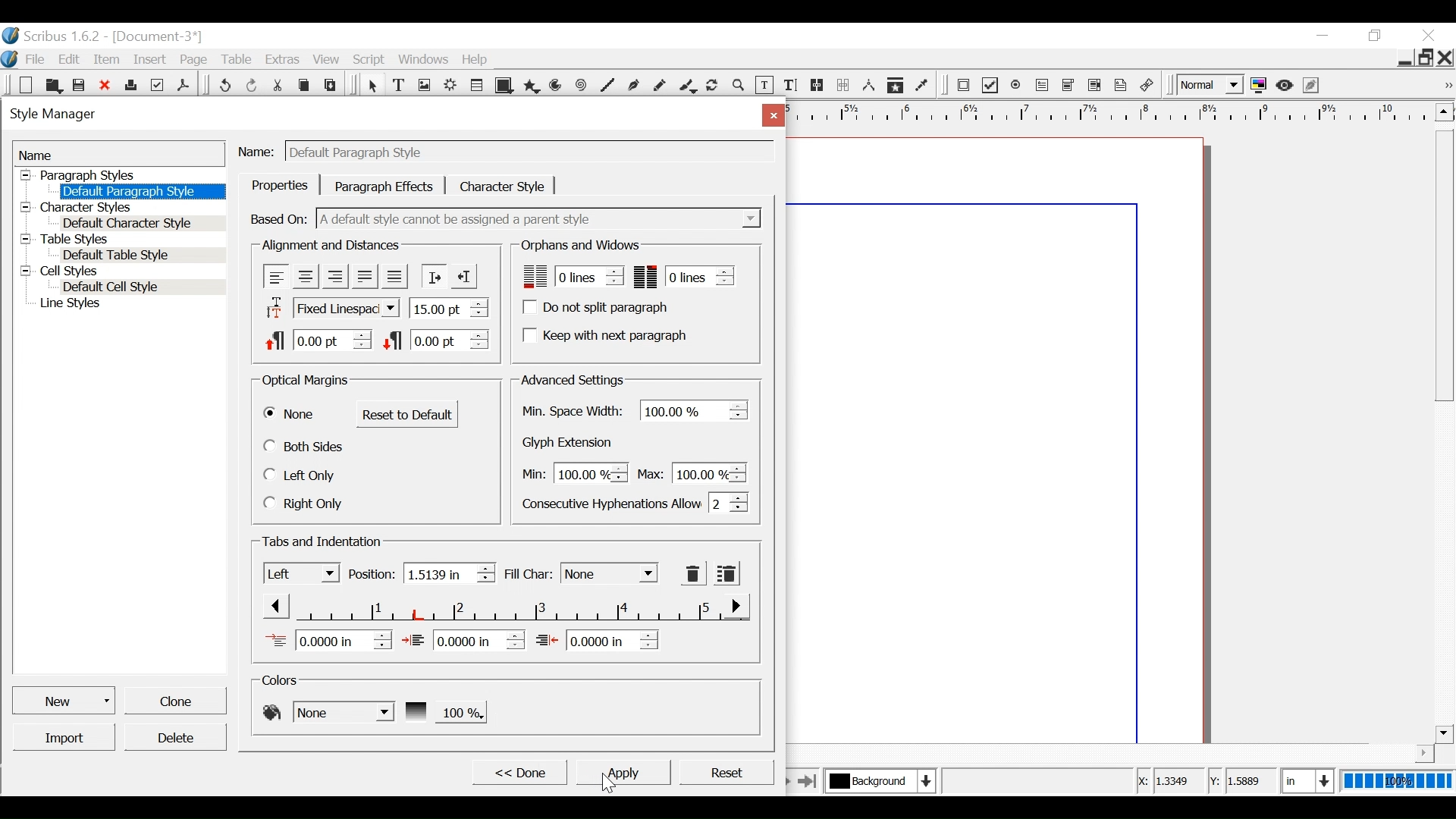 This screenshot has width=1456, height=819. Describe the element at coordinates (877, 780) in the screenshot. I see `Select the current layer` at that location.